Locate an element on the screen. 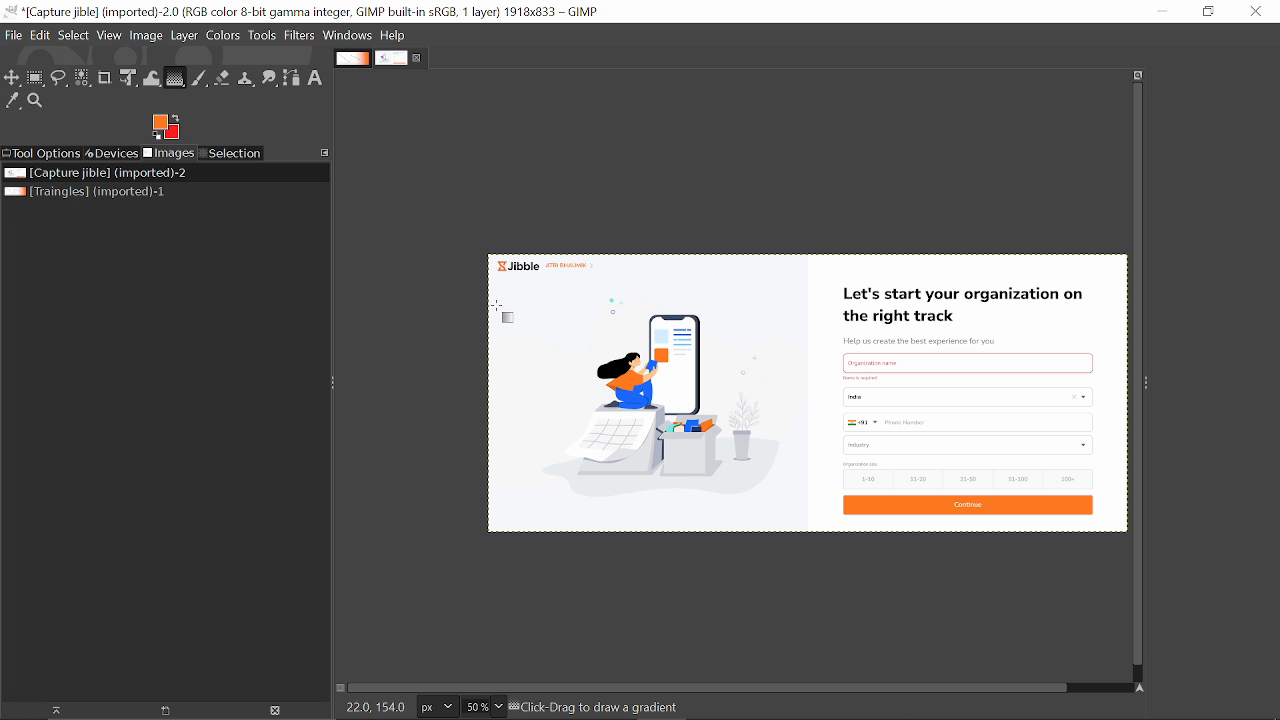  Sidebar menu is located at coordinates (1152, 379).